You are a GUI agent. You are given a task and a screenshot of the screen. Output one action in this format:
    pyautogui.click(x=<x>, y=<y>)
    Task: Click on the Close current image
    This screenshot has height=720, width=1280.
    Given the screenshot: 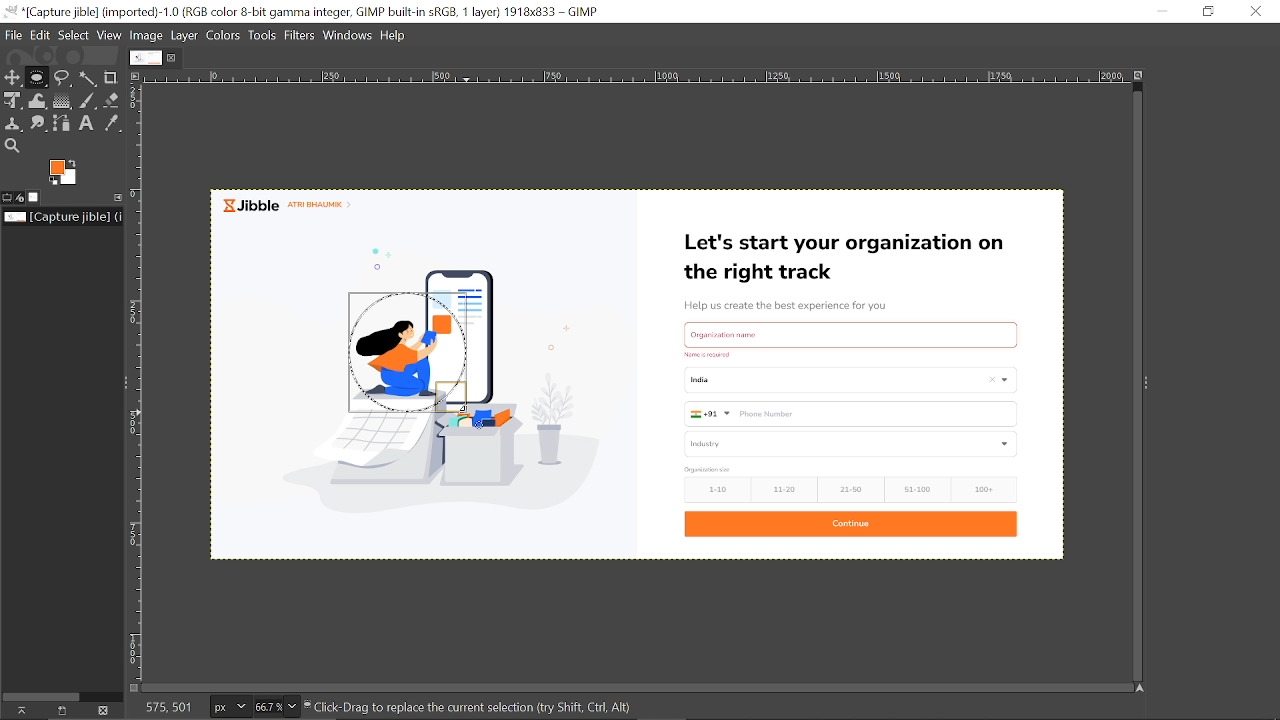 What is the action you would take?
    pyautogui.click(x=173, y=58)
    